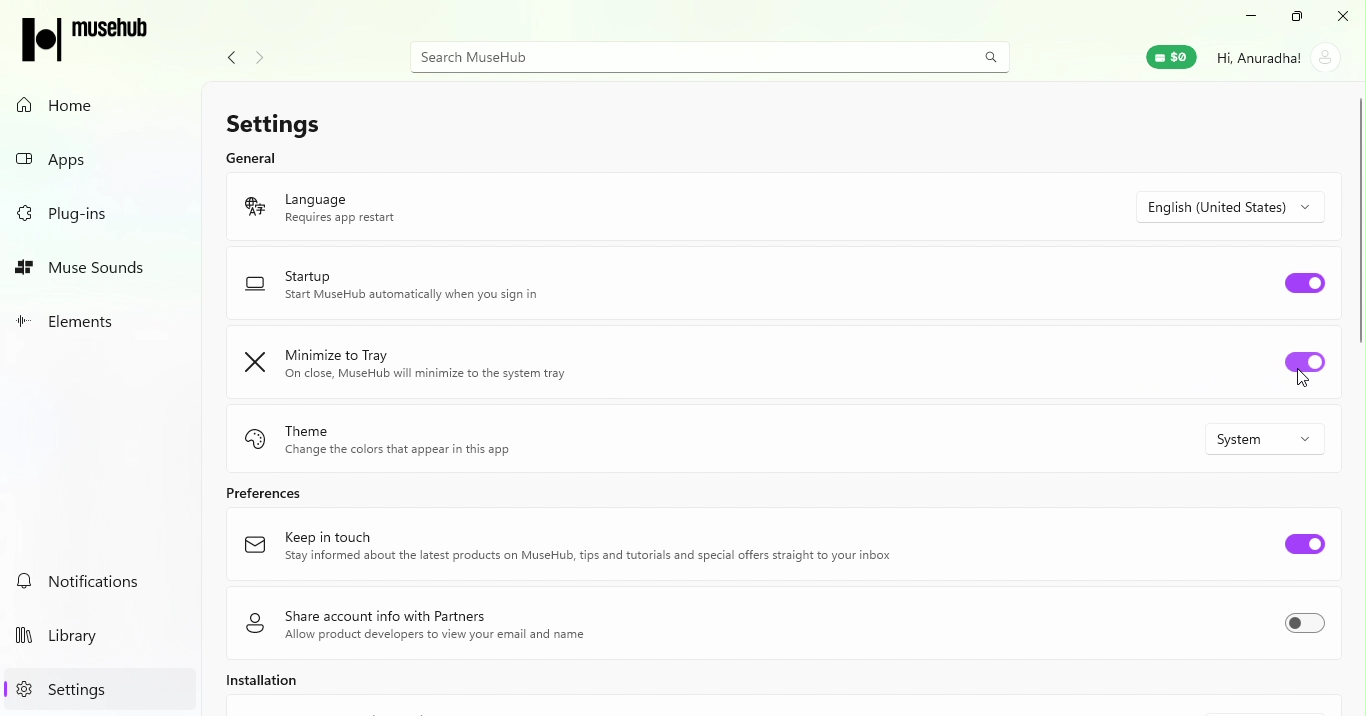  Describe the element at coordinates (79, 322) in the screenshot. I see `Elements` at that location.